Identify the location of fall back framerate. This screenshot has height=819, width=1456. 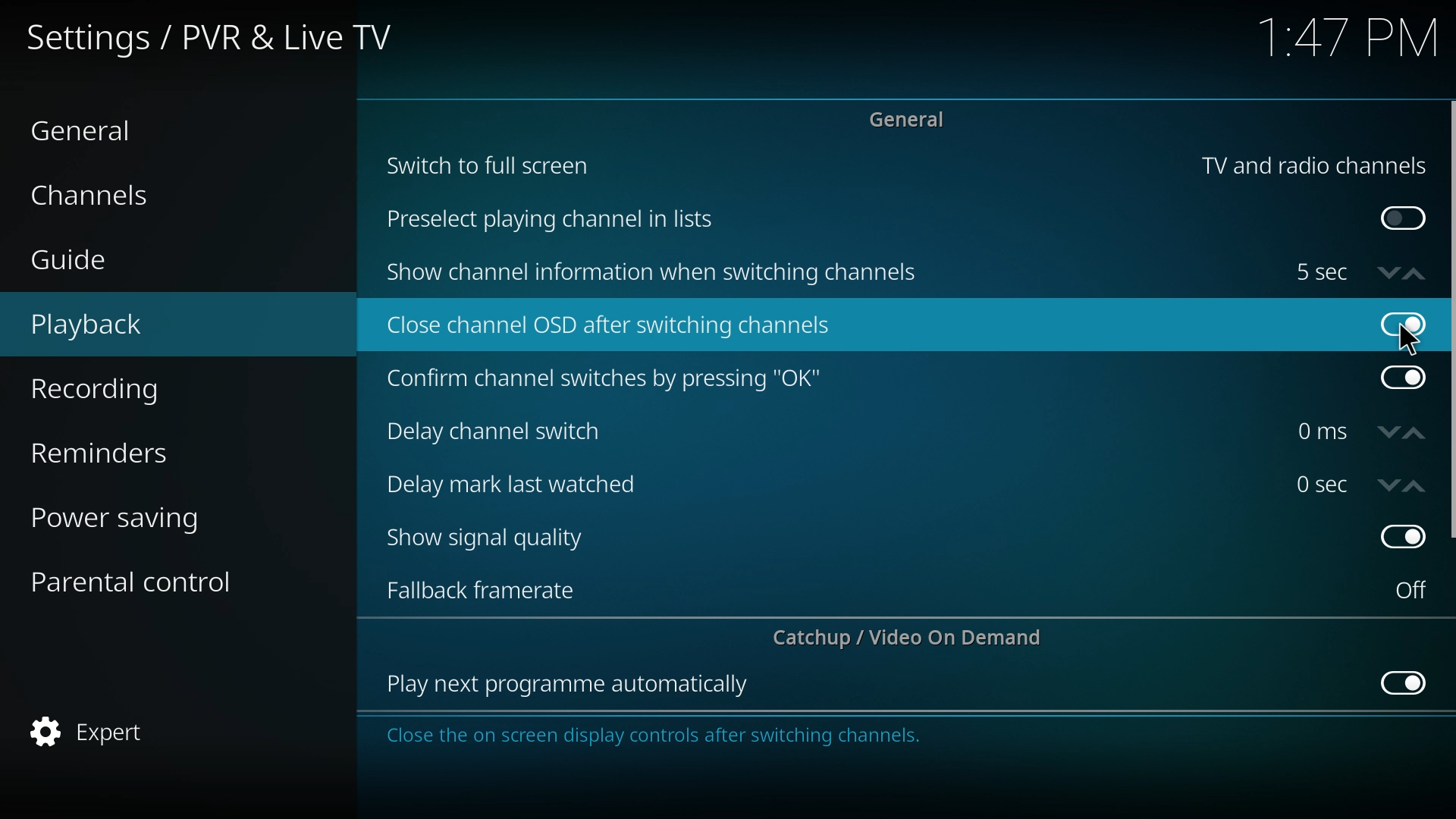
(492, 588).